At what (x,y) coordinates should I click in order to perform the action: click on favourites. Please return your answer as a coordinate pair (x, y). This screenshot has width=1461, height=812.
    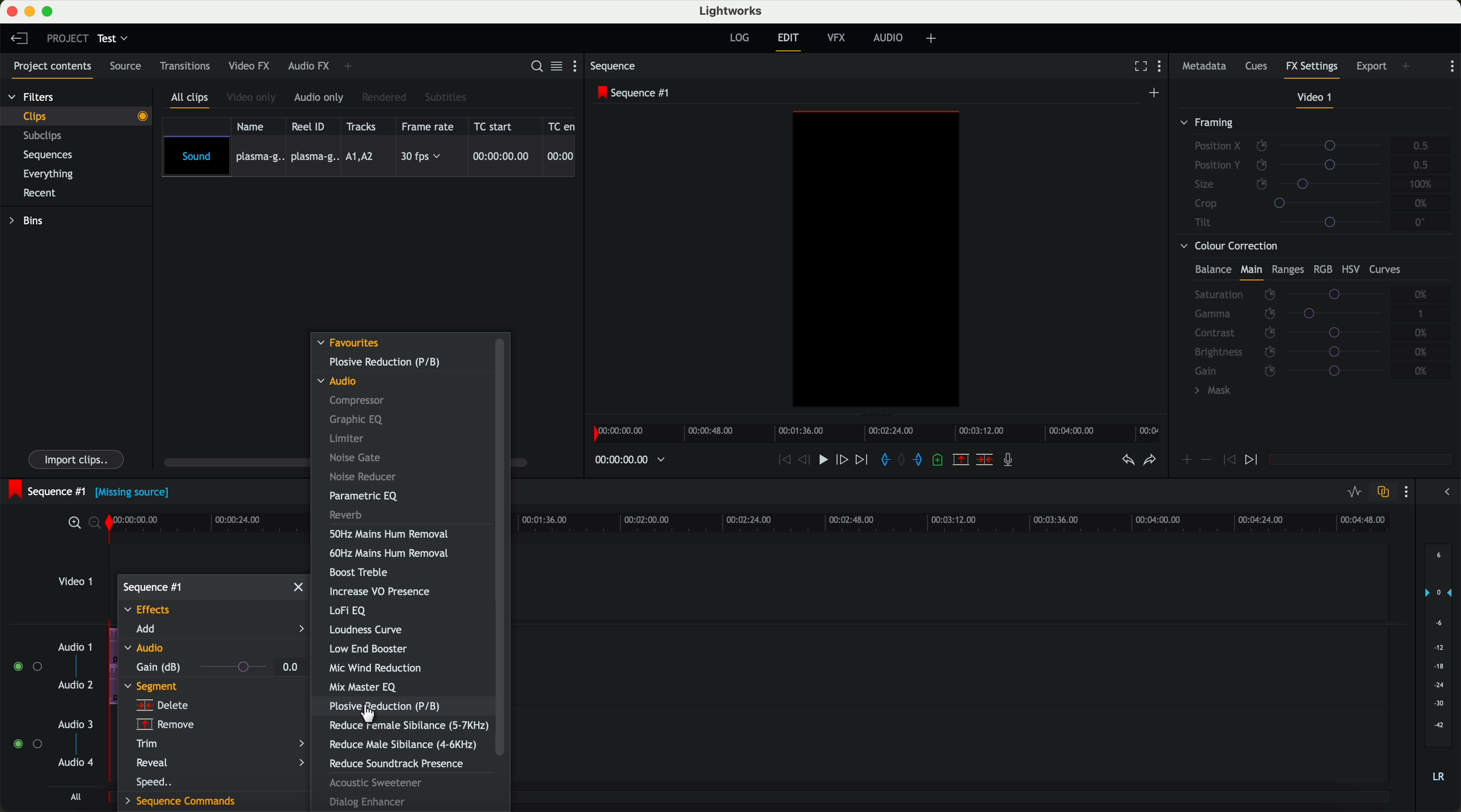
    Looking at the image, I should click on (349, 343).